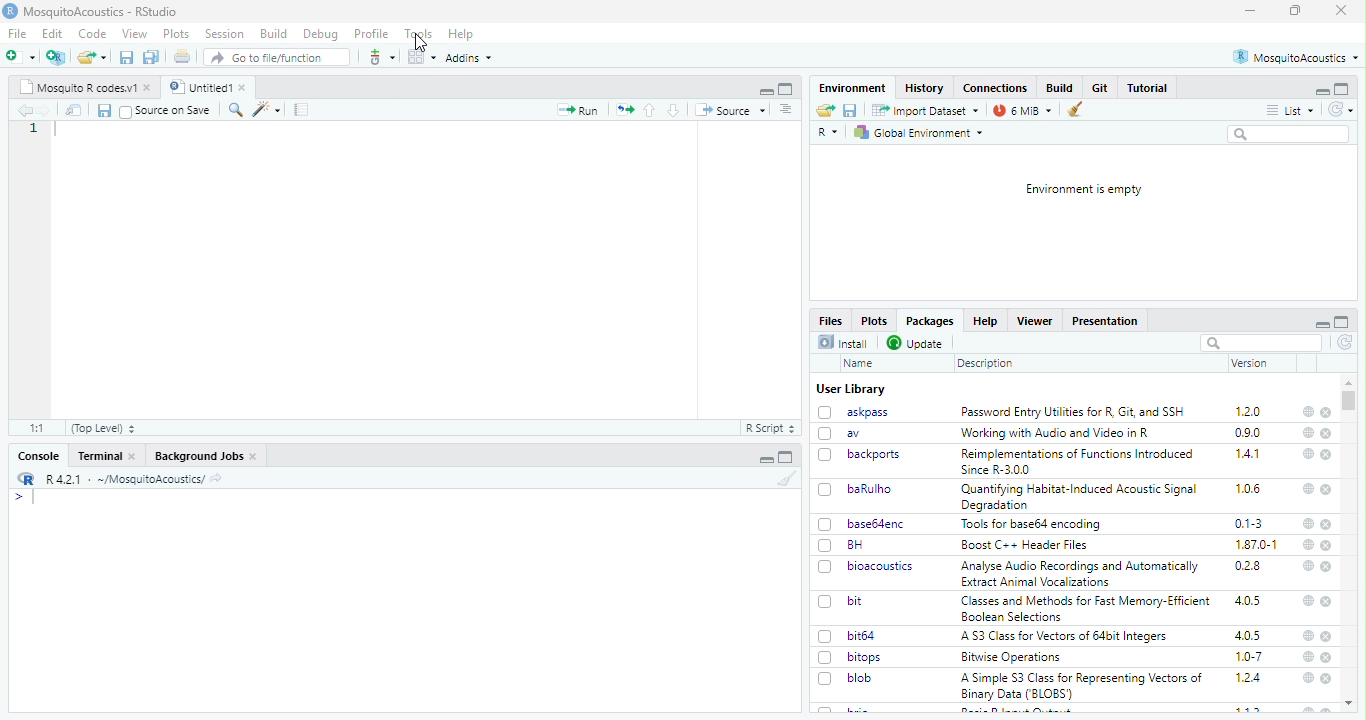 The height and width of the screenshot is (720, 1366). I want to click on (Top Level), so click(104, 429).